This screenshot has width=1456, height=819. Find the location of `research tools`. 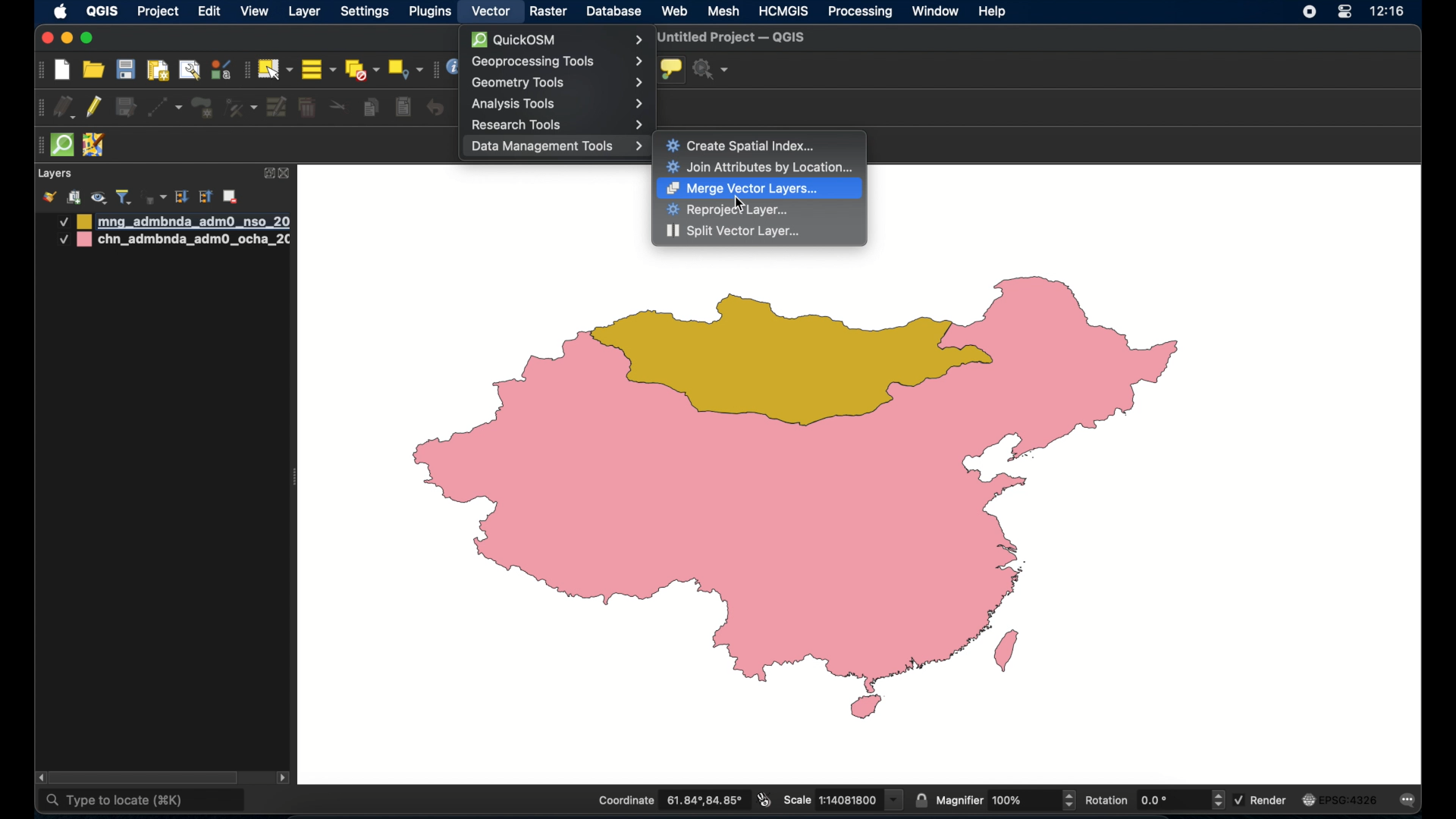

research tools is located at coordinates (559, 124).